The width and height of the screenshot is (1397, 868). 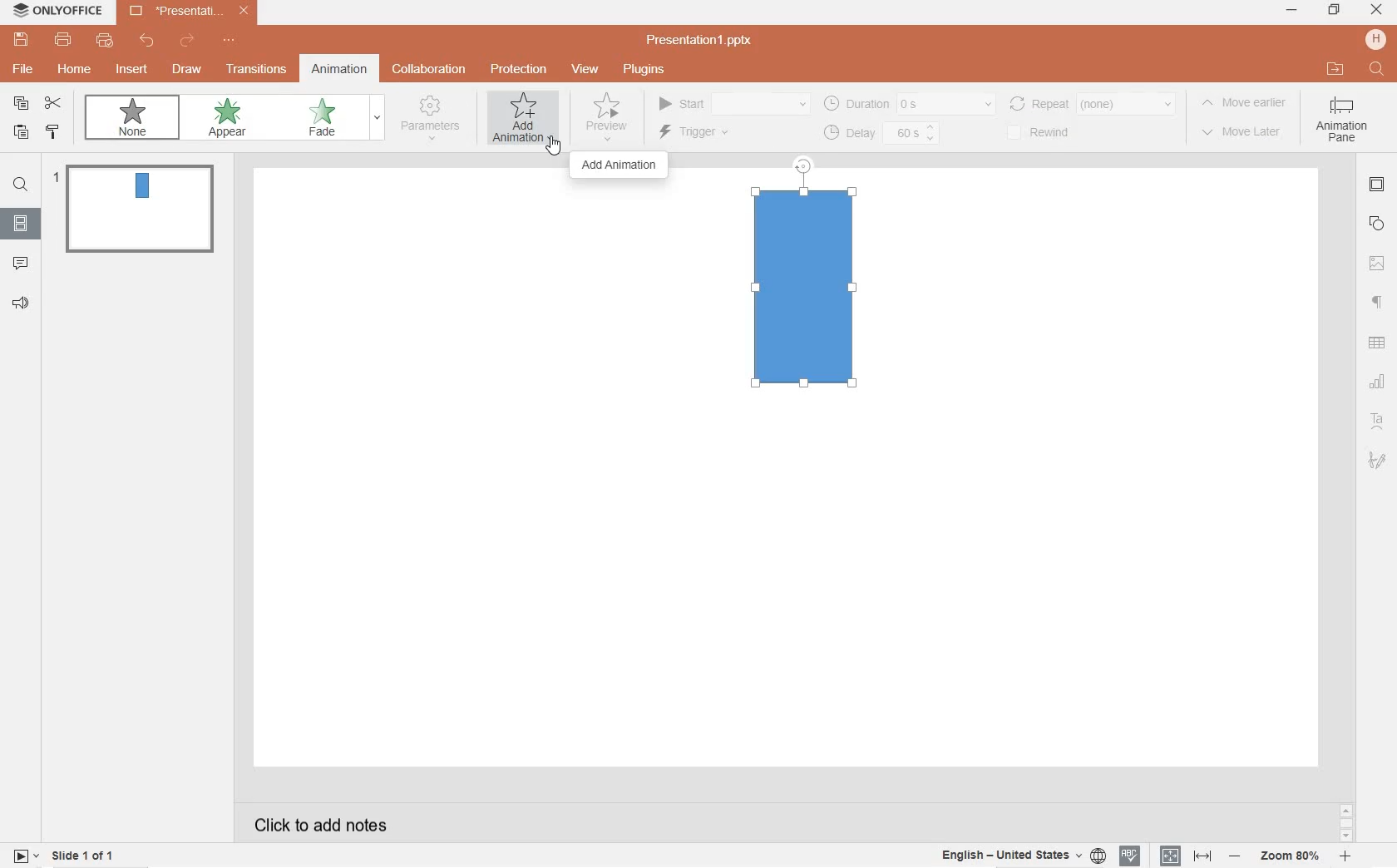 I want to click on delay, so click(x=882, y=133).